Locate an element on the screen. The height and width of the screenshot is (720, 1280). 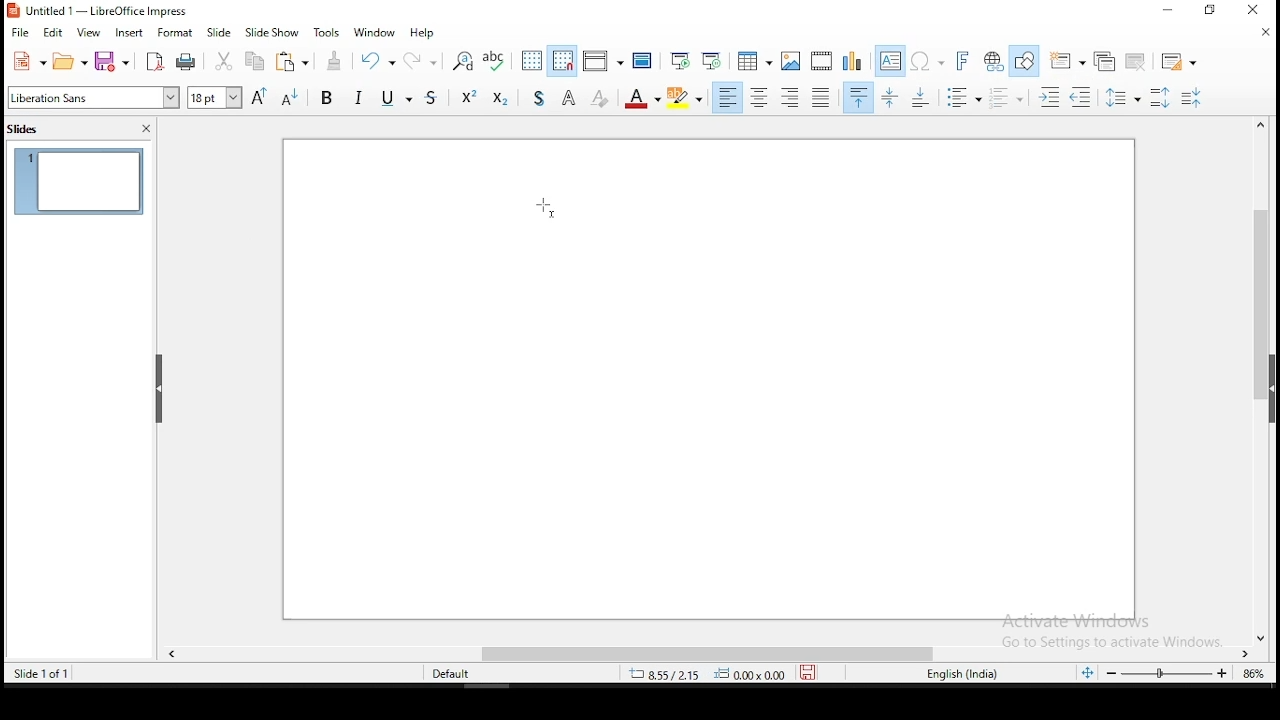
apply outline attritube to font is located at coordinates (566, 98).